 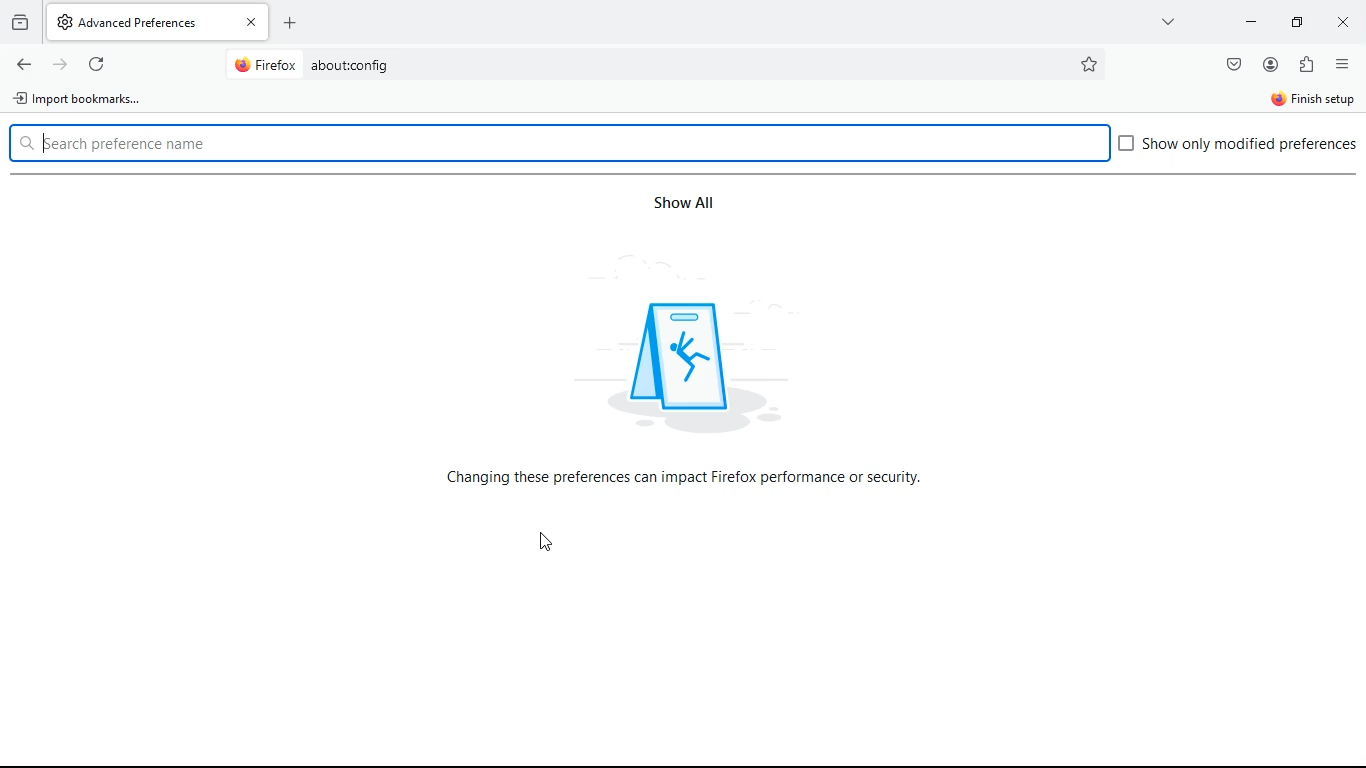 I want to click on minimize, so click(x=1248, y=23).